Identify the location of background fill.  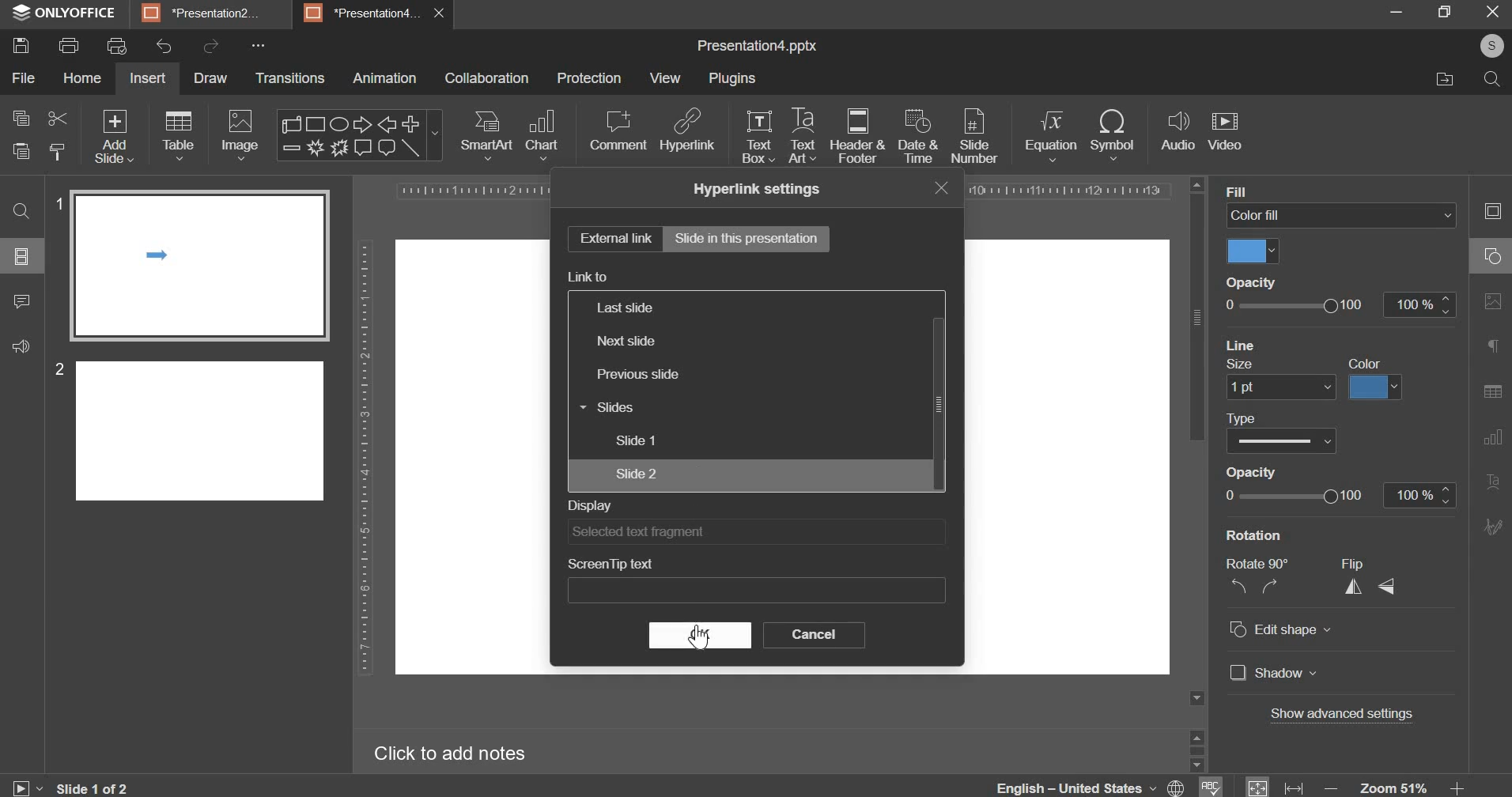
(1343, 214).